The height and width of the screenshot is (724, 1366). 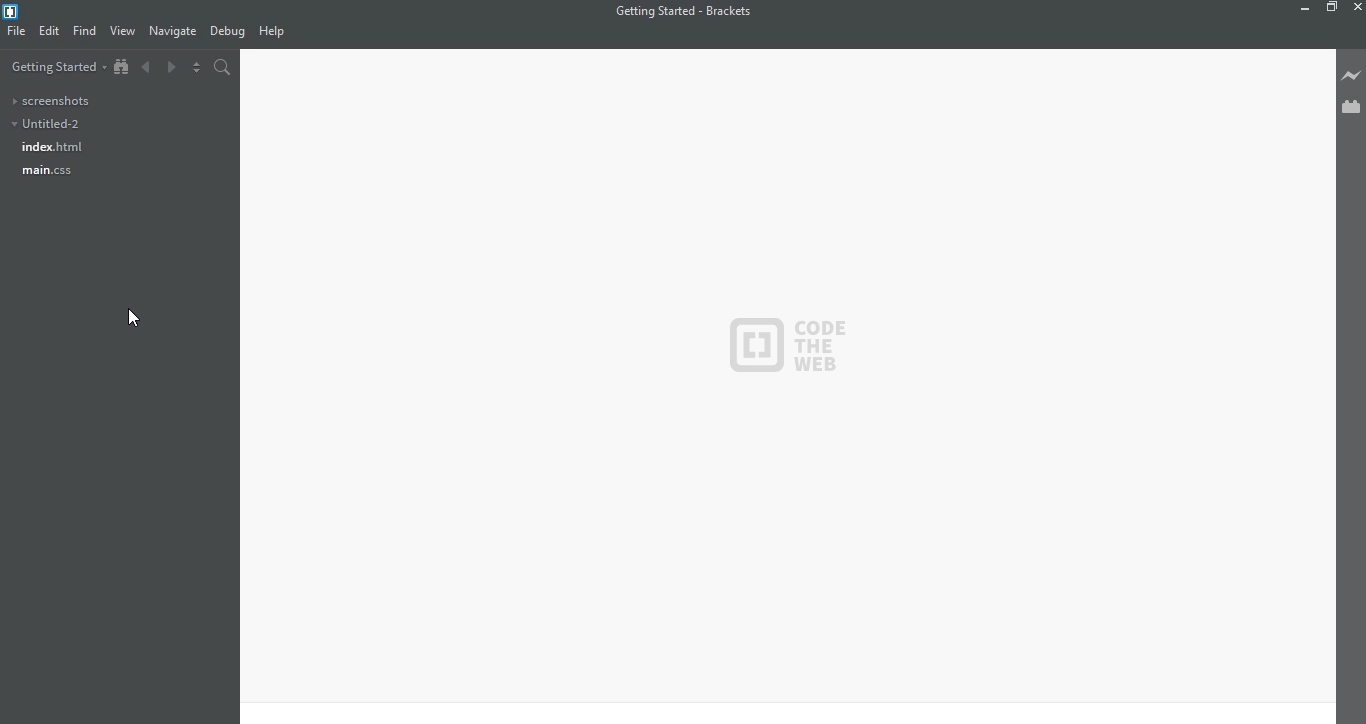 I want to click on debug, so click(x=228, y=31).